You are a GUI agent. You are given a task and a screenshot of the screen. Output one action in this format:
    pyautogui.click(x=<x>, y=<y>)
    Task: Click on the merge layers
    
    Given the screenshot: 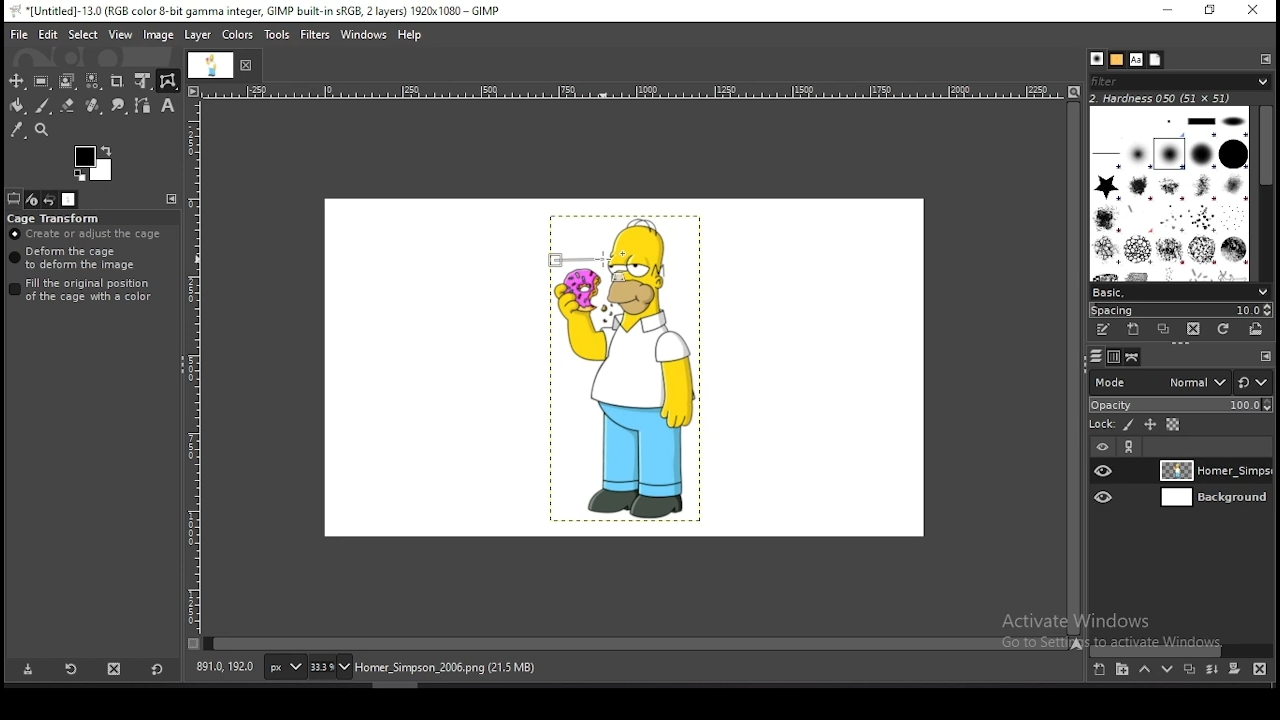 What is the action you would take?
    pyautogui.click(x=1212, y=672)
    